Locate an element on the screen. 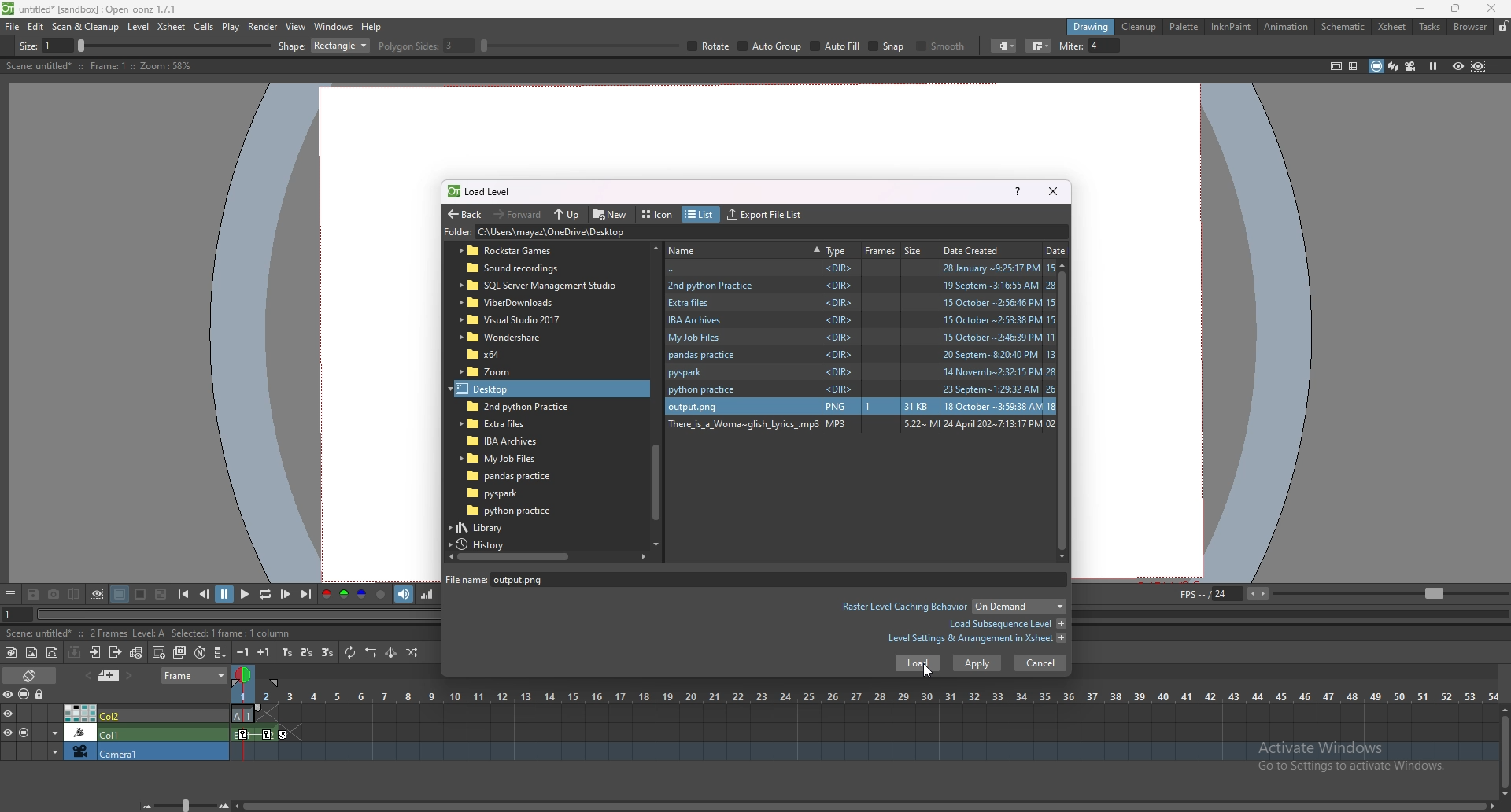 The image size is (1511, 812). shape is located at coordinates (641, 46).